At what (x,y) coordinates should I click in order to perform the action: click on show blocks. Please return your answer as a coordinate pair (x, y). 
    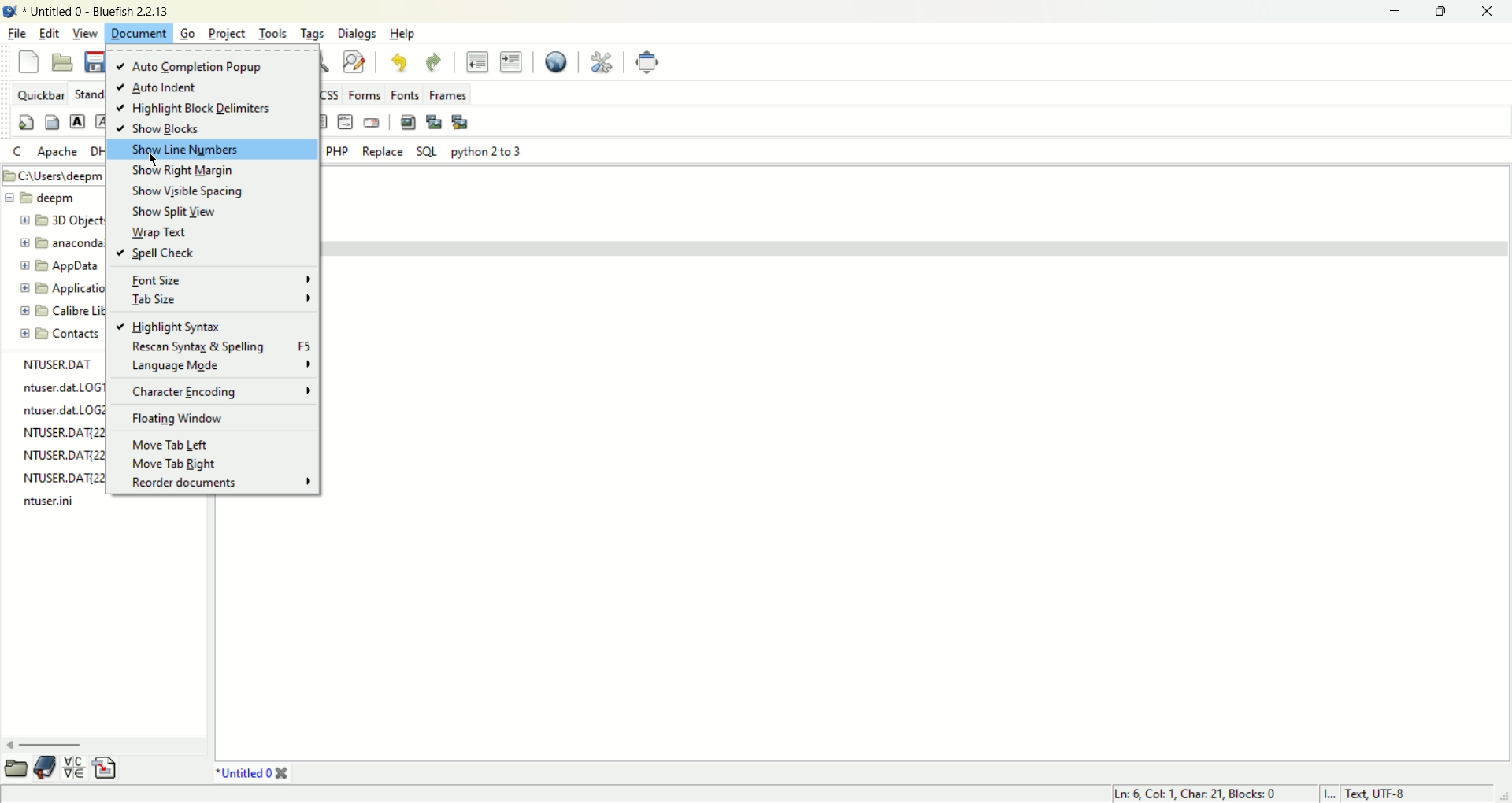
    Looking at the image, I should click on (155, 128).